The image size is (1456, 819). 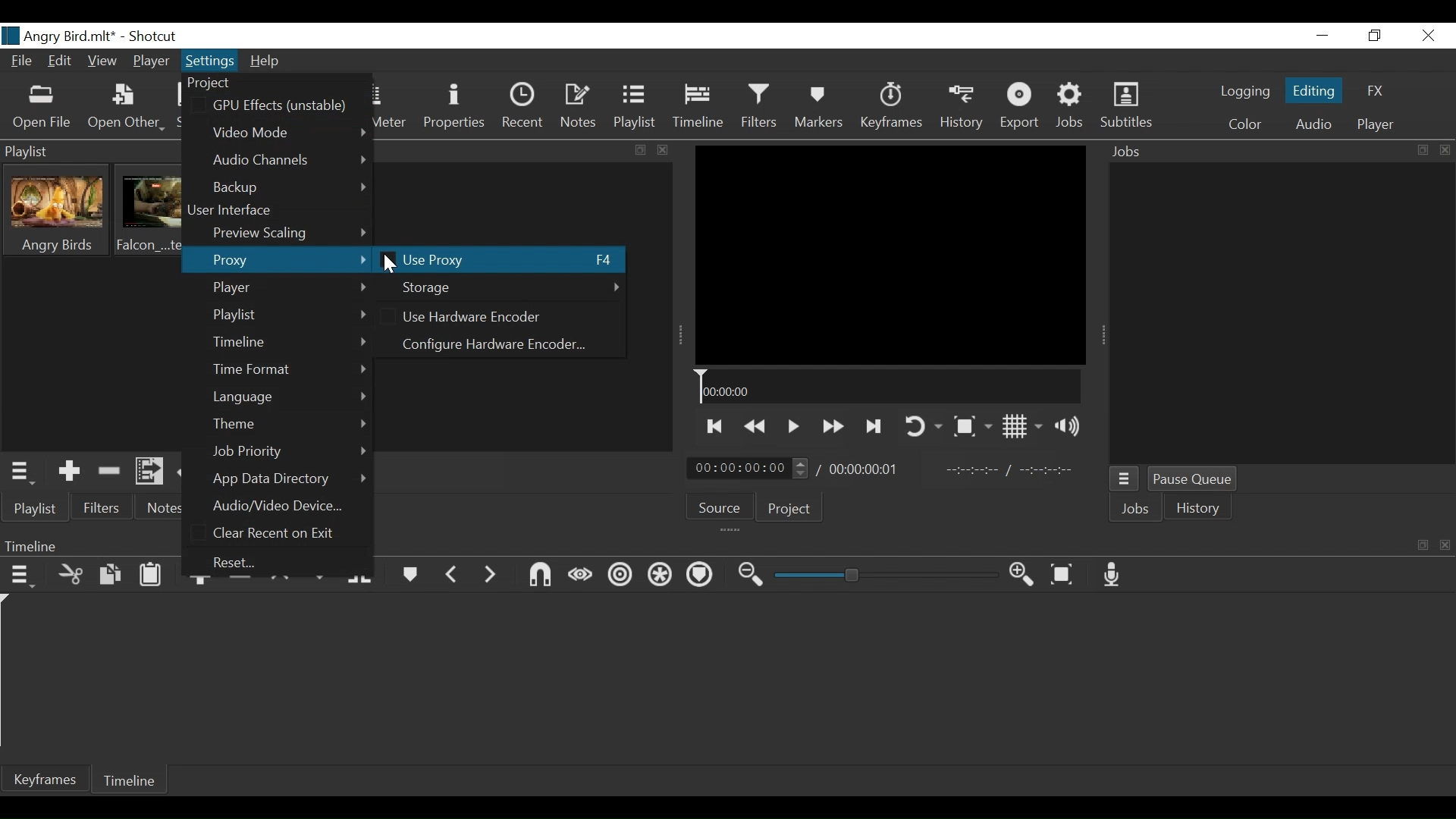 I want to click on logging, so click(x=1244, y=92).